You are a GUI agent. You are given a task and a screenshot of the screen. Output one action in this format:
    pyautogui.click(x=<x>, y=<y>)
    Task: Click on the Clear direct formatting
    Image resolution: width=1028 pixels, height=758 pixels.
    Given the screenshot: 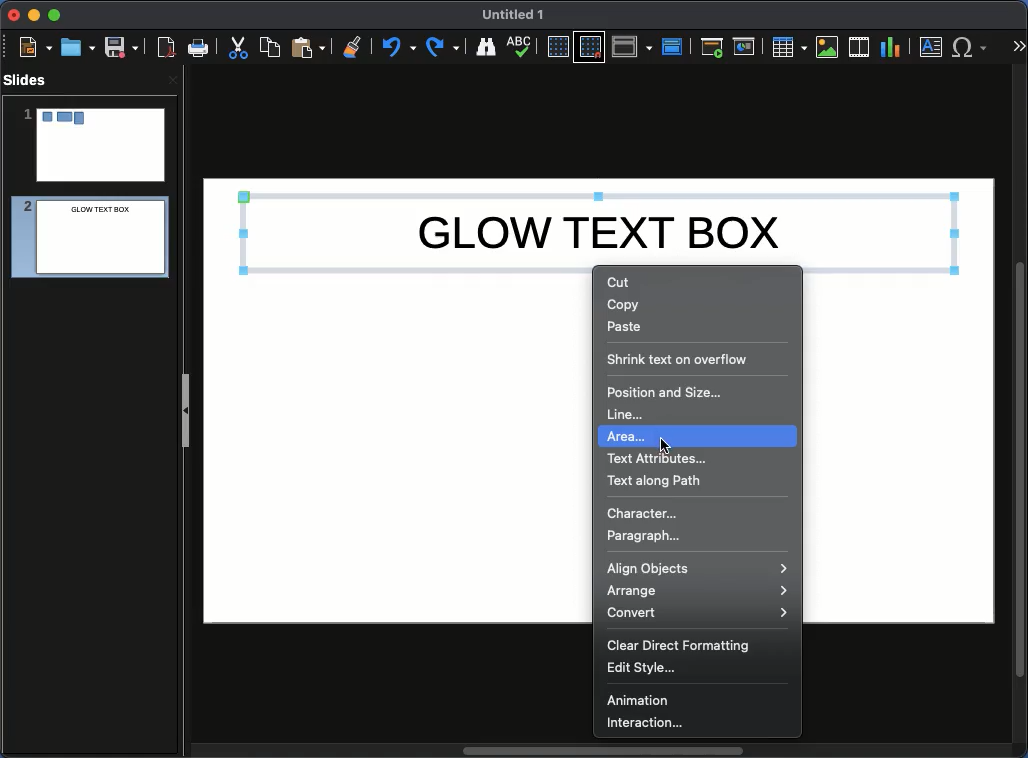 What is the action you would take?
    pyautogui.click(x=684, y=646)
    